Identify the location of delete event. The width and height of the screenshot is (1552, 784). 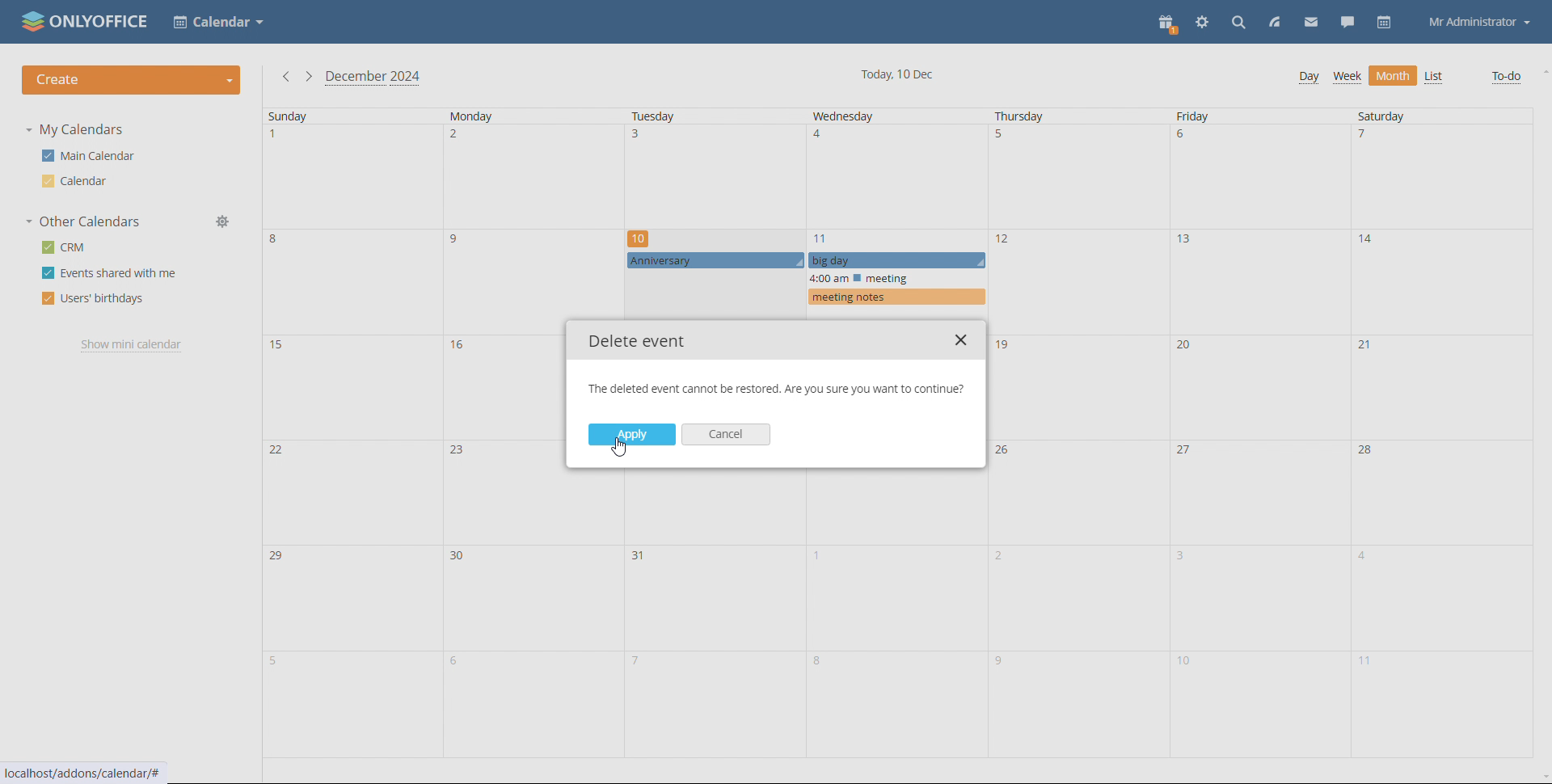
(639, 341).